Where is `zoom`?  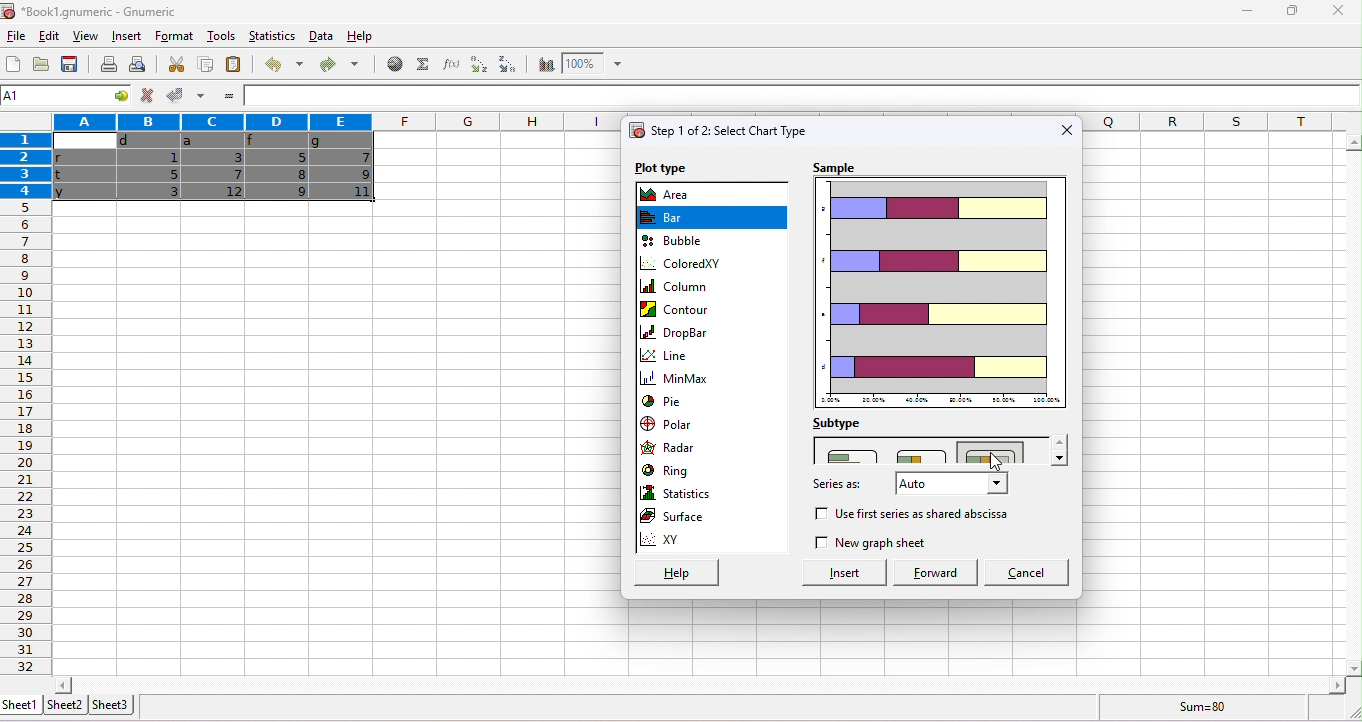 zoom is located at coordinates (593, 63).